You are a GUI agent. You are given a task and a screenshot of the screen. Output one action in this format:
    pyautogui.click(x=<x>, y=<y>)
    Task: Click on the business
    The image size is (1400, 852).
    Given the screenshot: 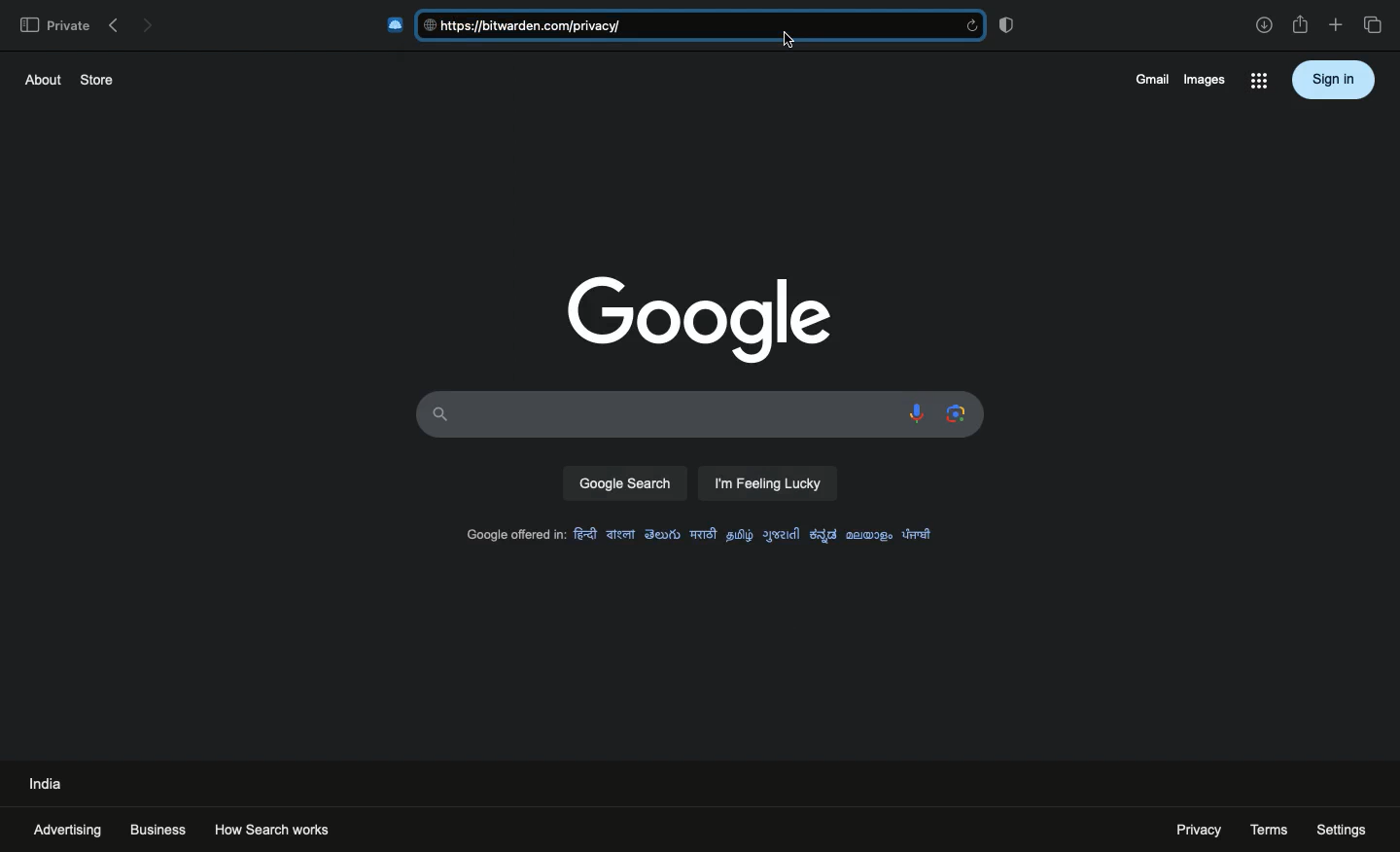 What is the action you would take?
    pyautogui.click(x=158, y=830)
    